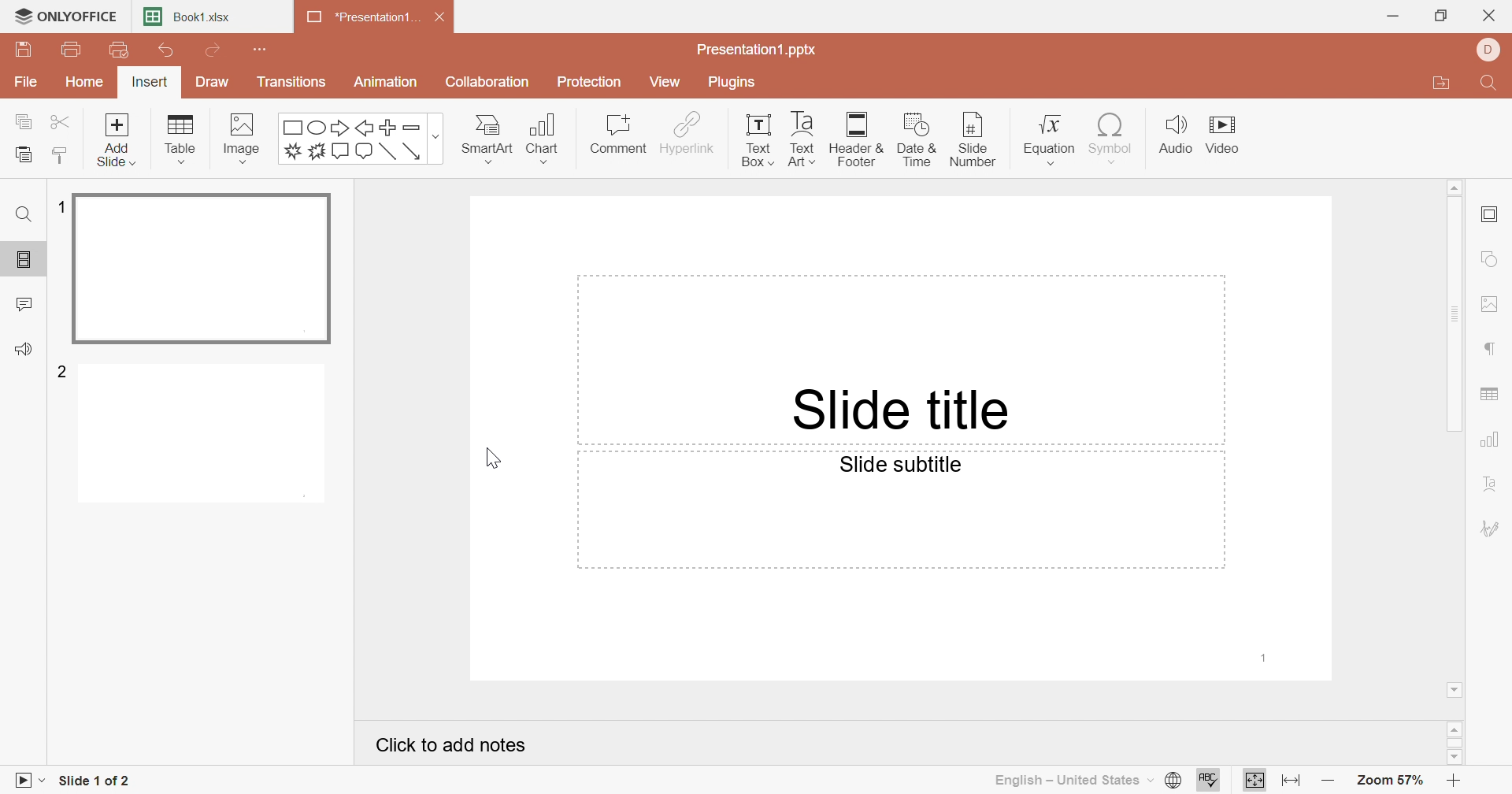  What do you see at coordinates (63, 121) in the screenshot?
I see `cut` at bounding box center [63, 121].